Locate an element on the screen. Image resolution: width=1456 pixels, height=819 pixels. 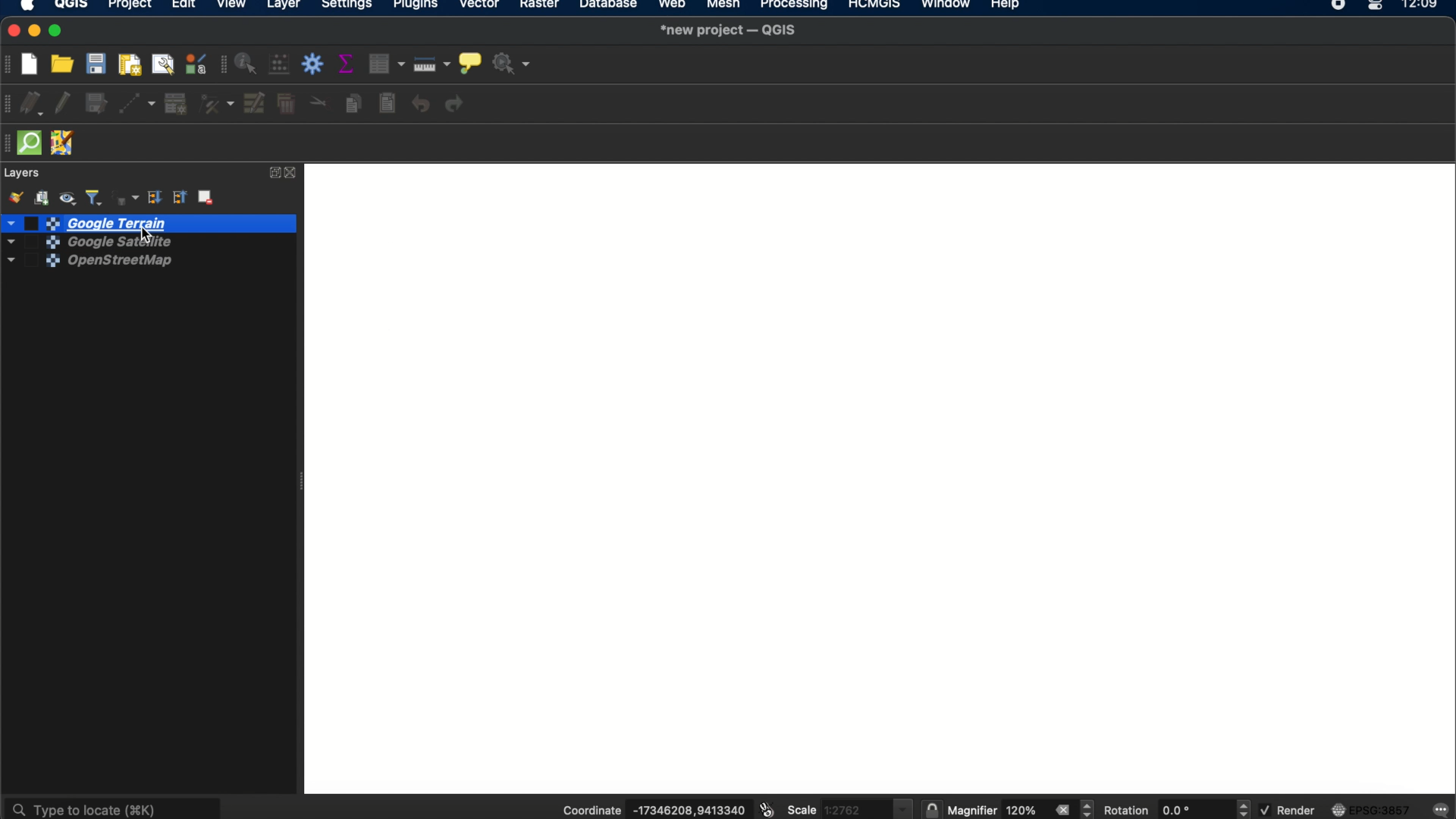
open street map is located at coordinates (86, 263).